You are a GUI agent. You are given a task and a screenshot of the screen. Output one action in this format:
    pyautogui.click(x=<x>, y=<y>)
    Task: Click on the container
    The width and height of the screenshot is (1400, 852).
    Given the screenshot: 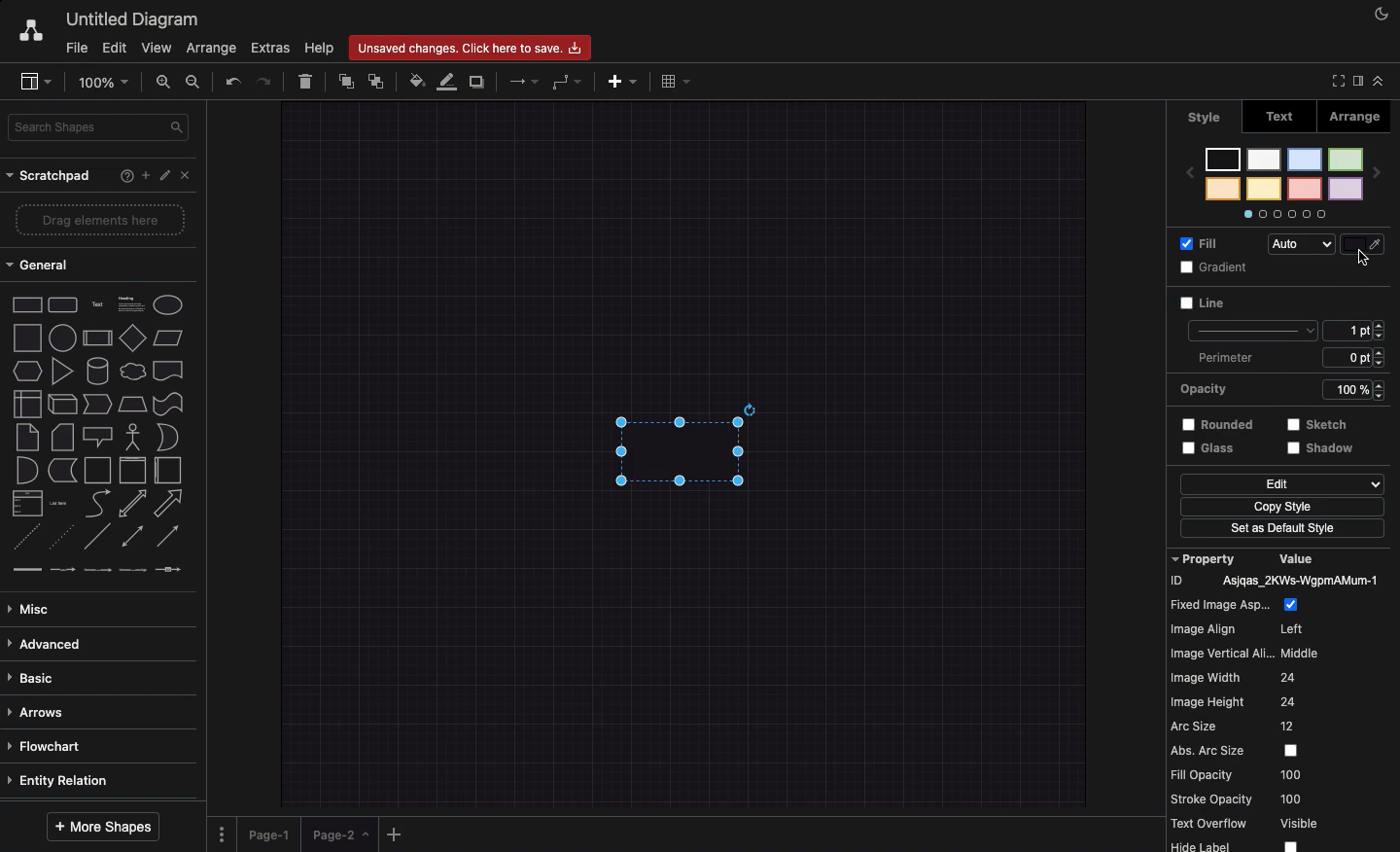 What is the action you would take?
    pyautogui.click(x=96, y=469)
    